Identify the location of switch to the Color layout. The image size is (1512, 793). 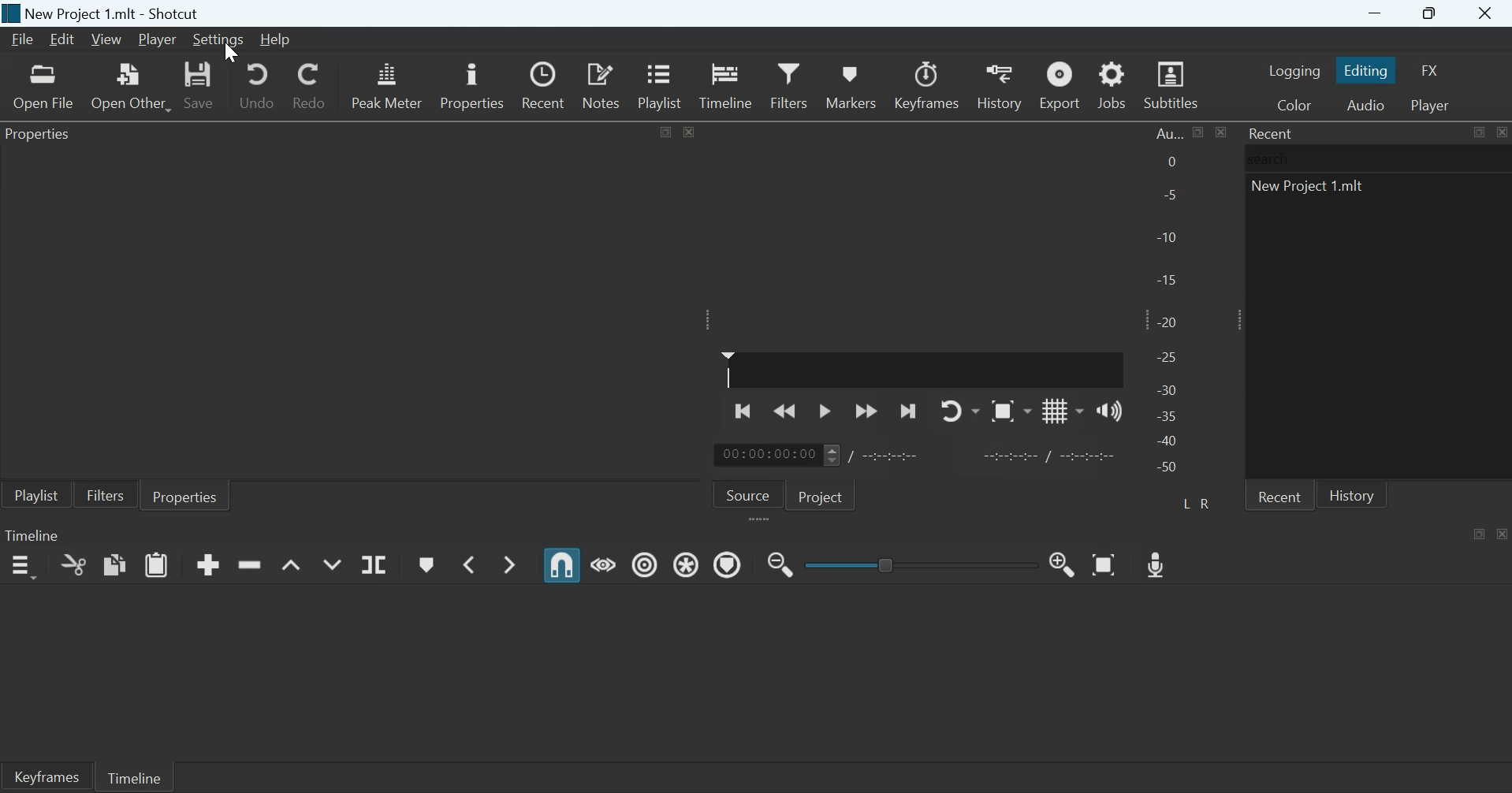
(1294, 104).